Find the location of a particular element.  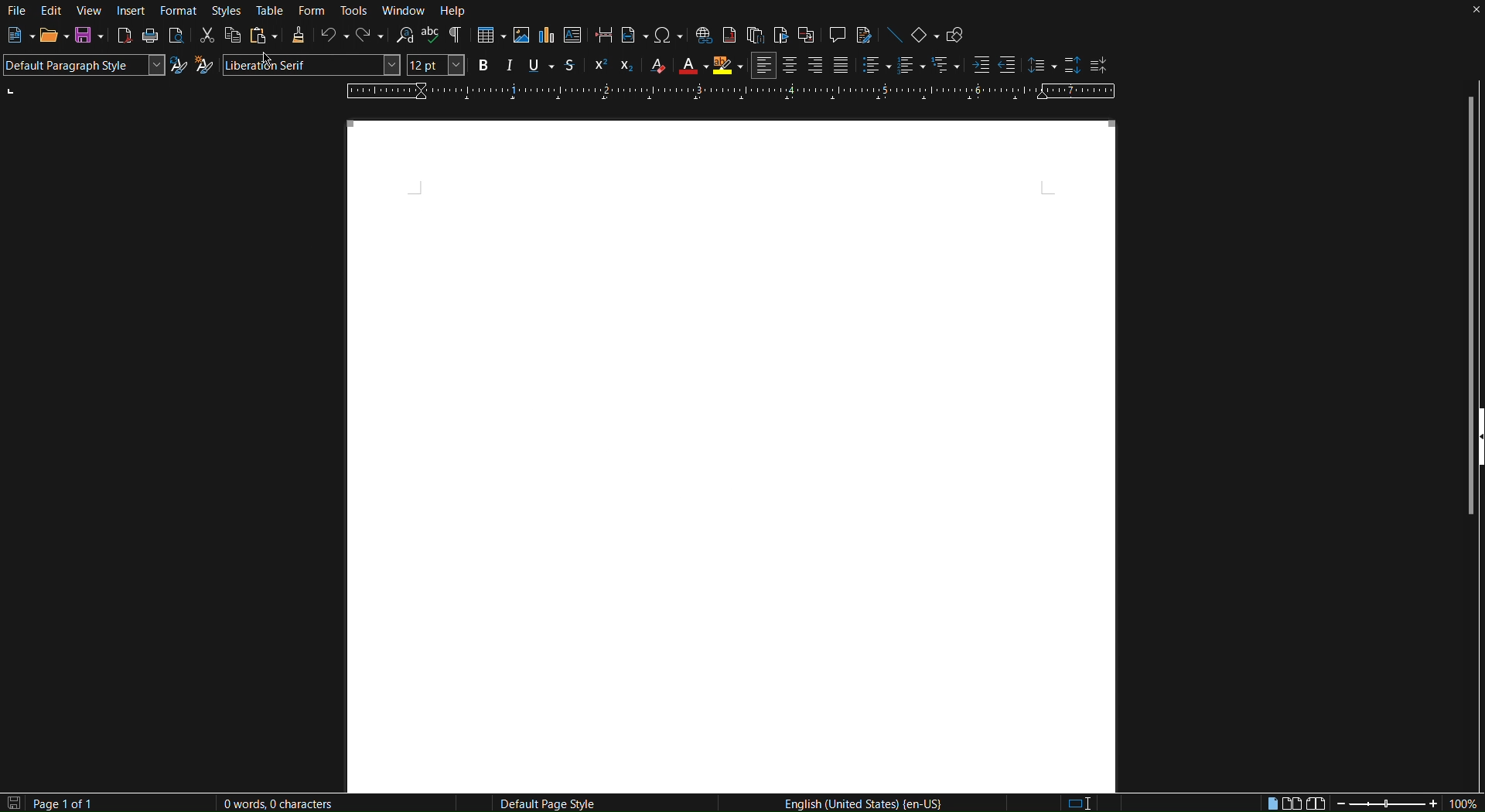

Insert textbox is located at coordinates (573, 35).